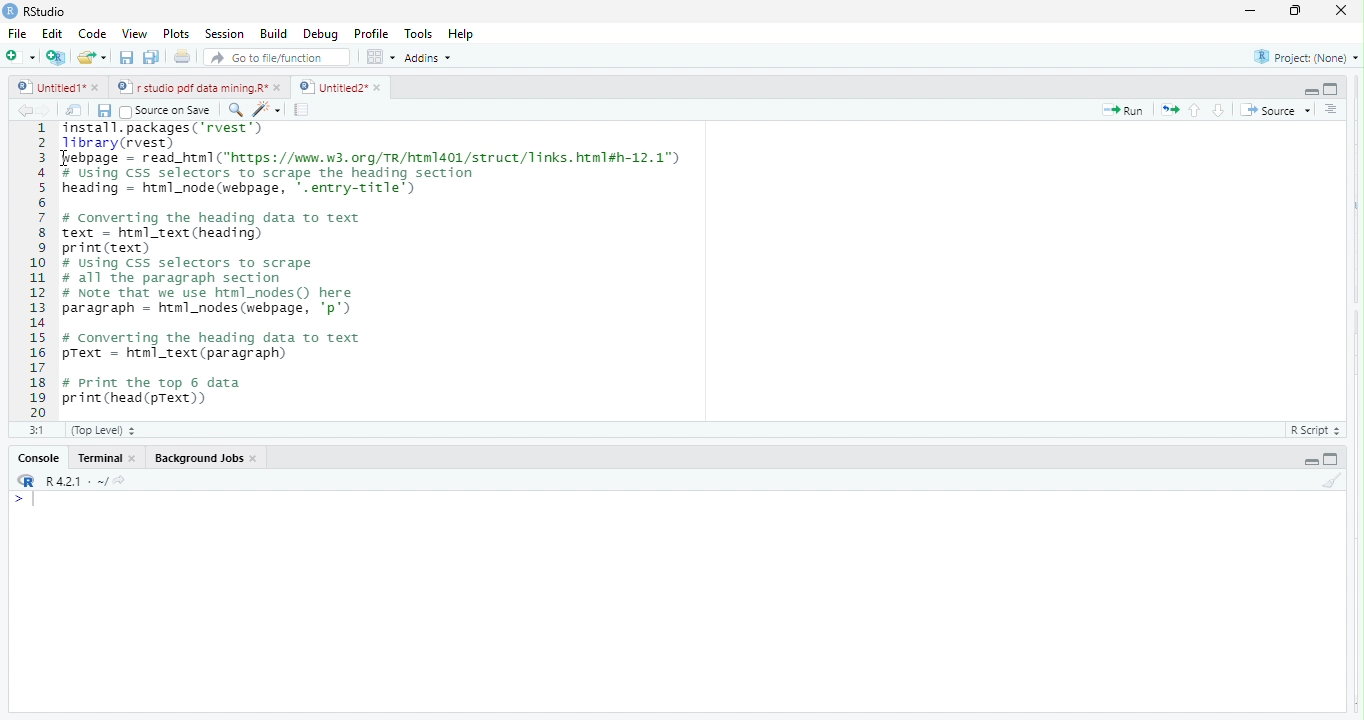 The height and width of the screenshot is (720, 1364). I want to click on Background Jobs, so click(196, 456).